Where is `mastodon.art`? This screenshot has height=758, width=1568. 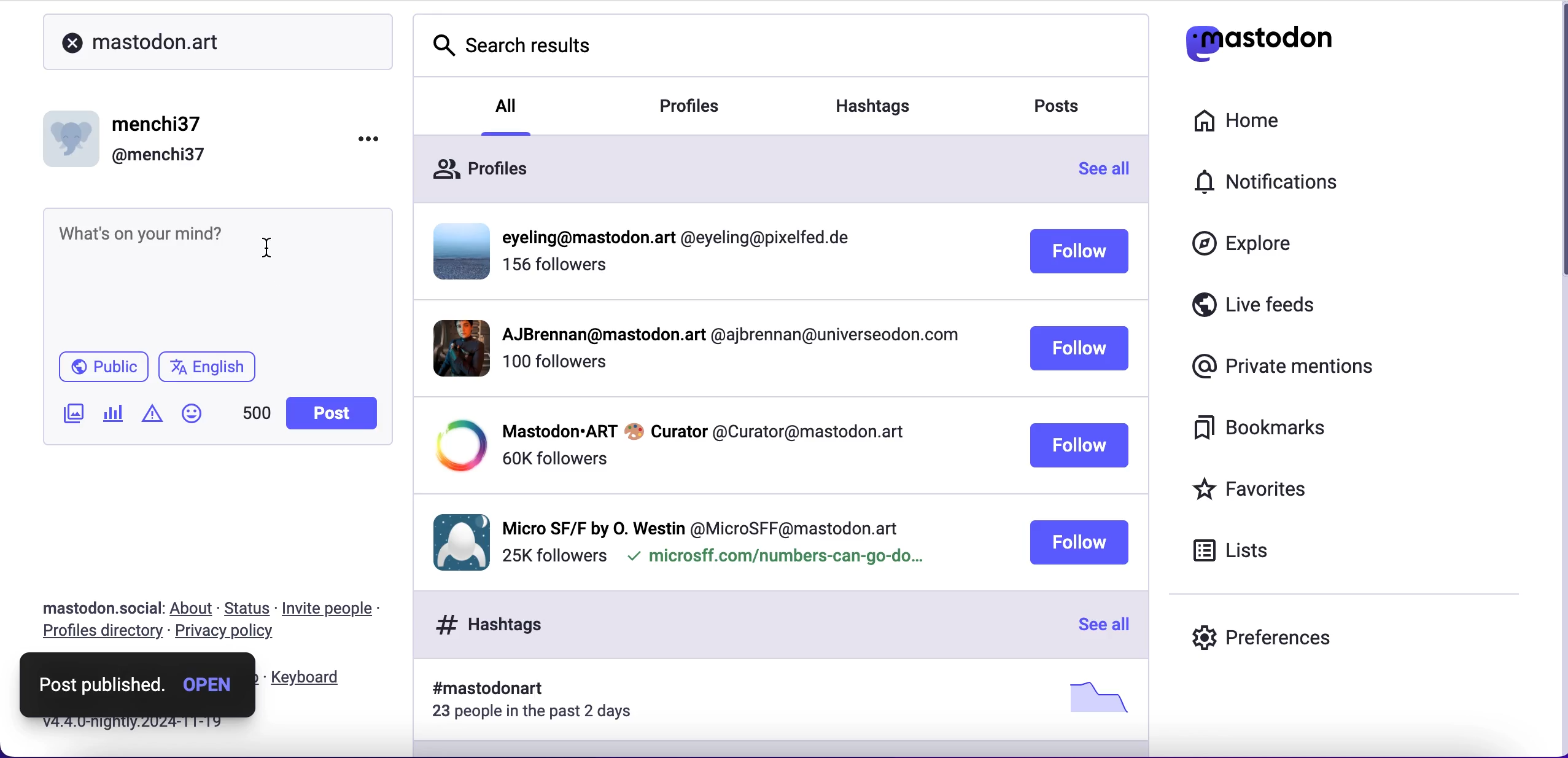
mastodon.art is located at coordinates (154, 44).